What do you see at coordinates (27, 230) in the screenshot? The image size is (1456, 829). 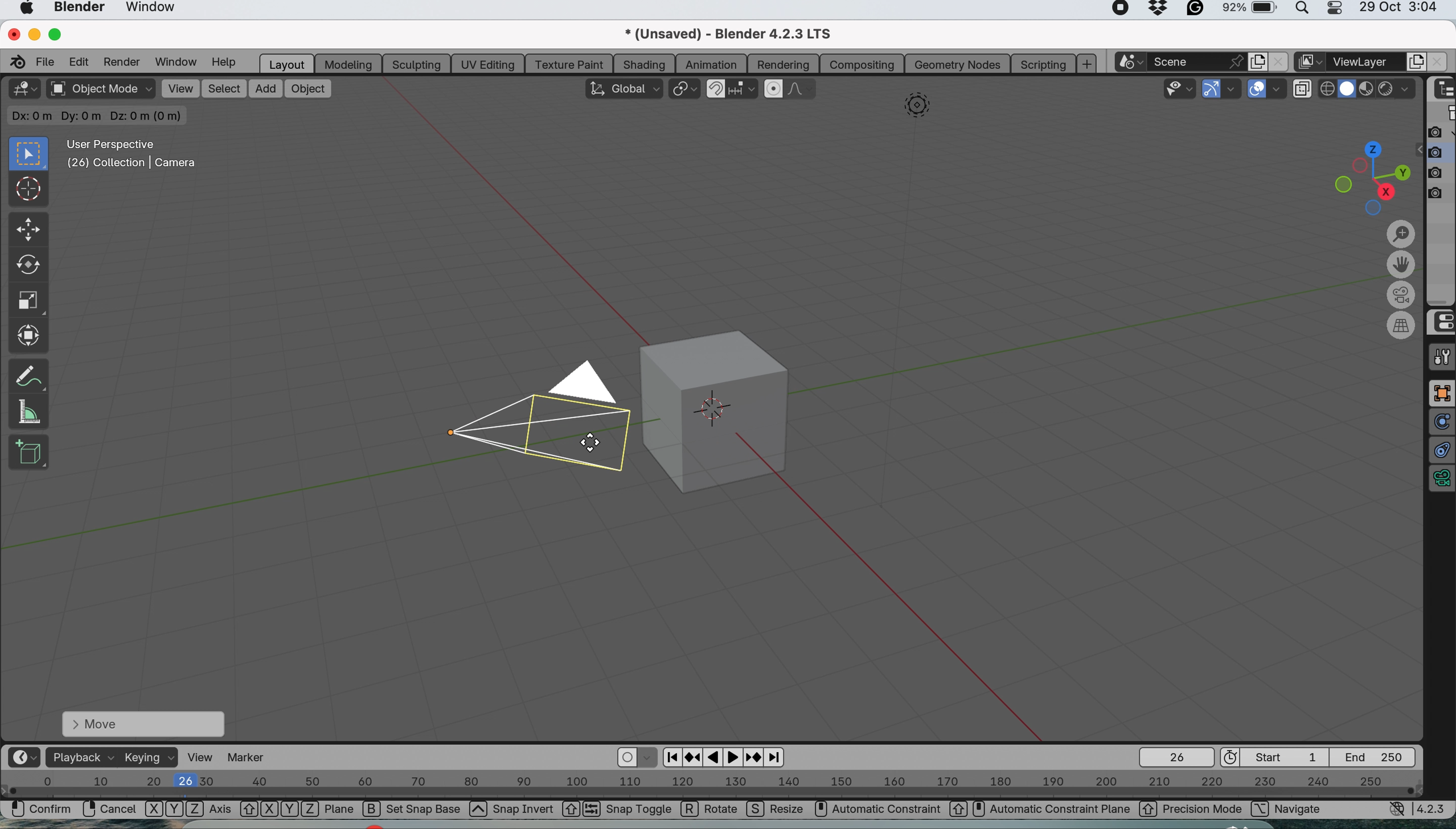 I see `move` at bounding box center [27, 230].